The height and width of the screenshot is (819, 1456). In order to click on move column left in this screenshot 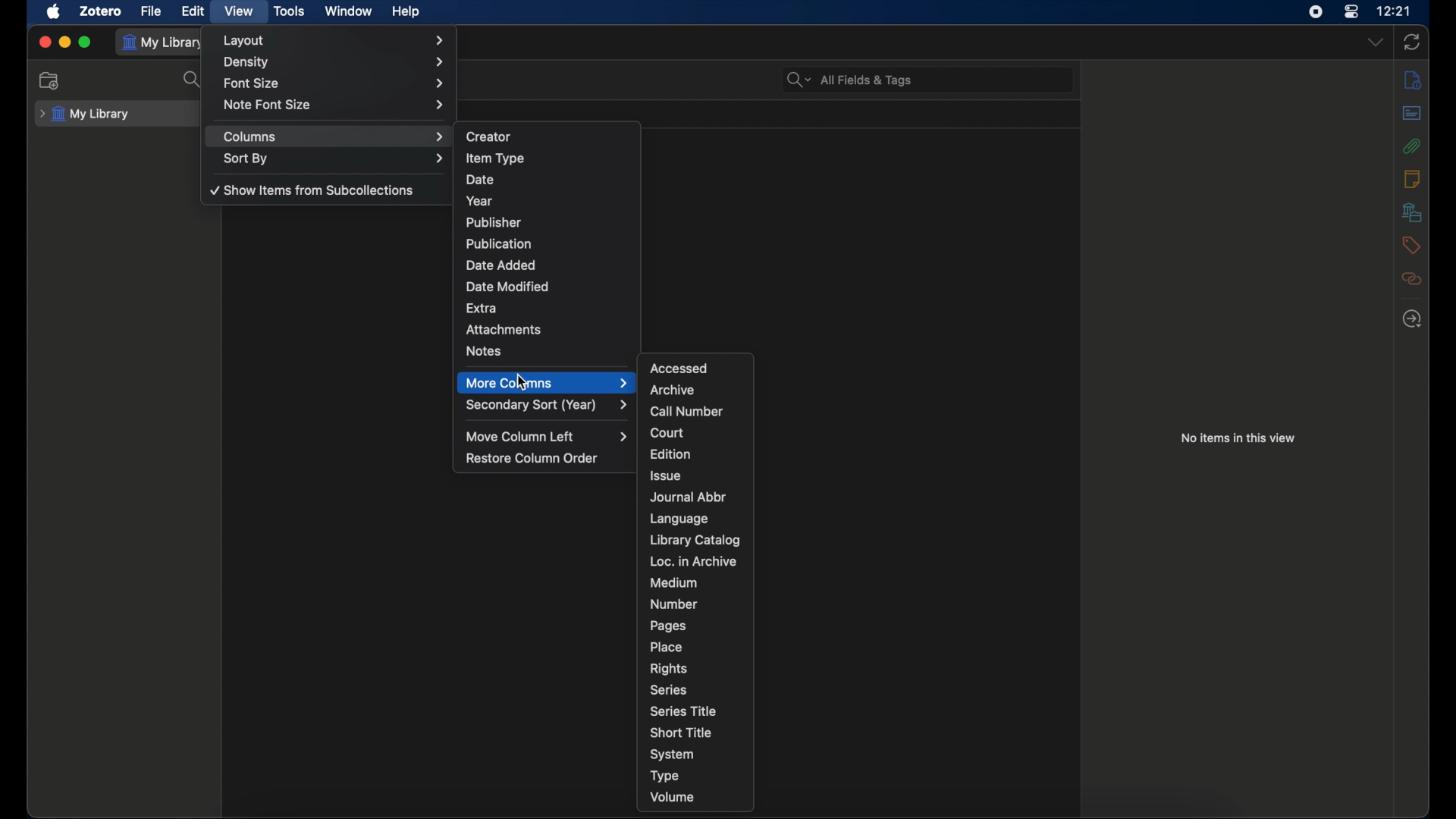, I will do `click(548, 437)`.